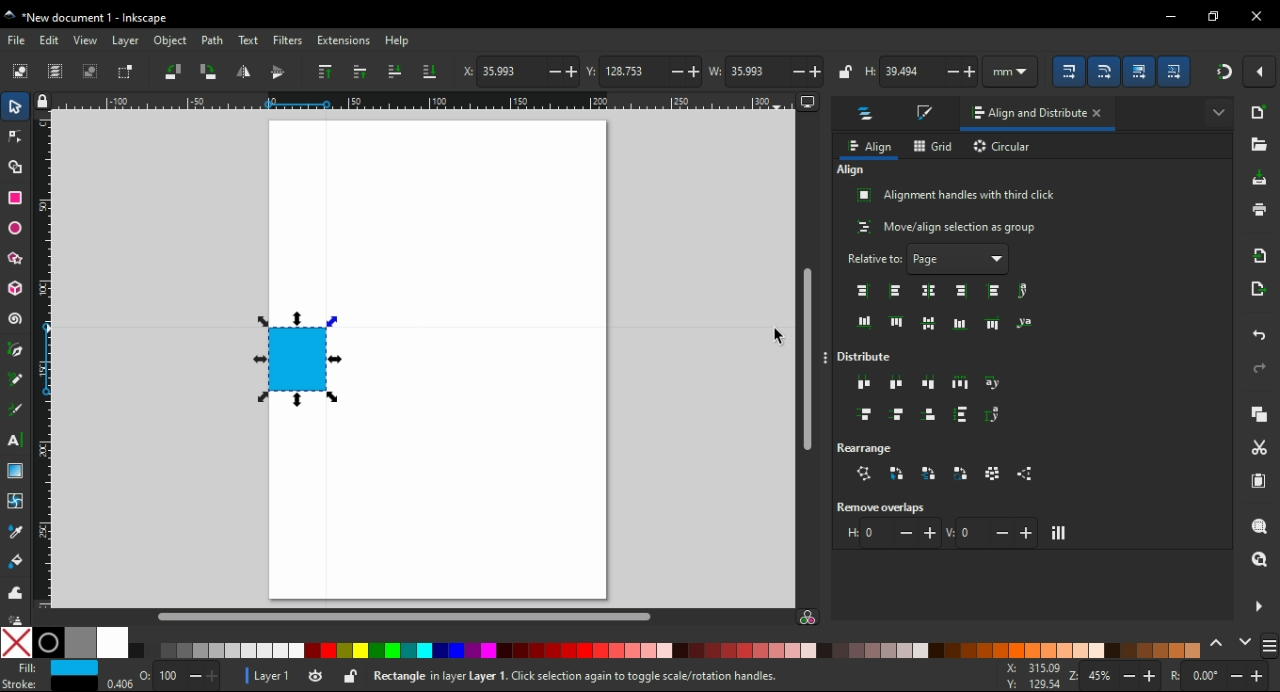 The height and width of the screenshot is (692, 1280). What do you see at coordinates (1260, 180) in the screenshot?
I see `save` at bounding box center [1260, 180].